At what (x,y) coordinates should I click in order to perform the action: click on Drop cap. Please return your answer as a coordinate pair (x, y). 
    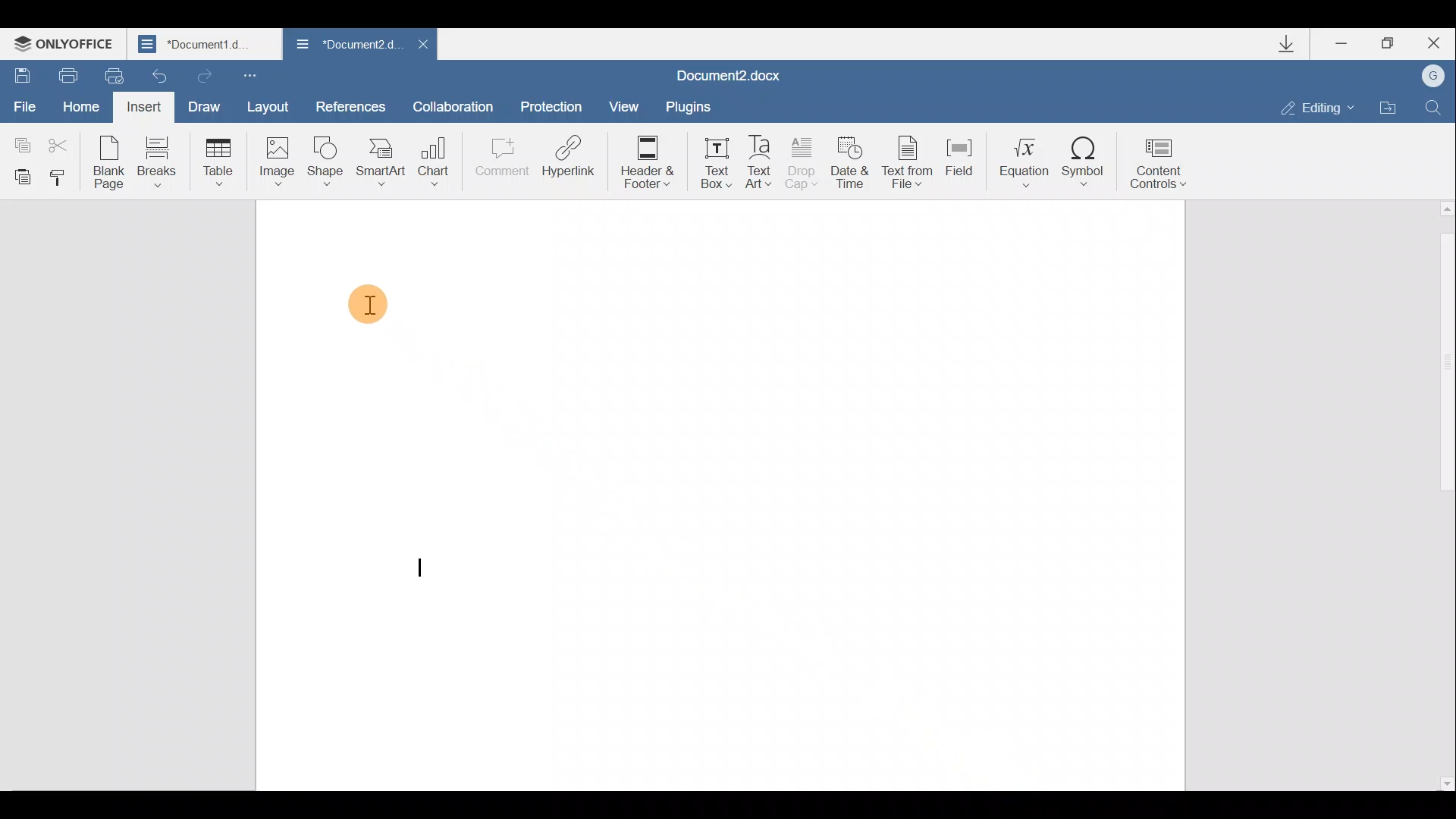
    Looking at the image, I should click on (802, 165).